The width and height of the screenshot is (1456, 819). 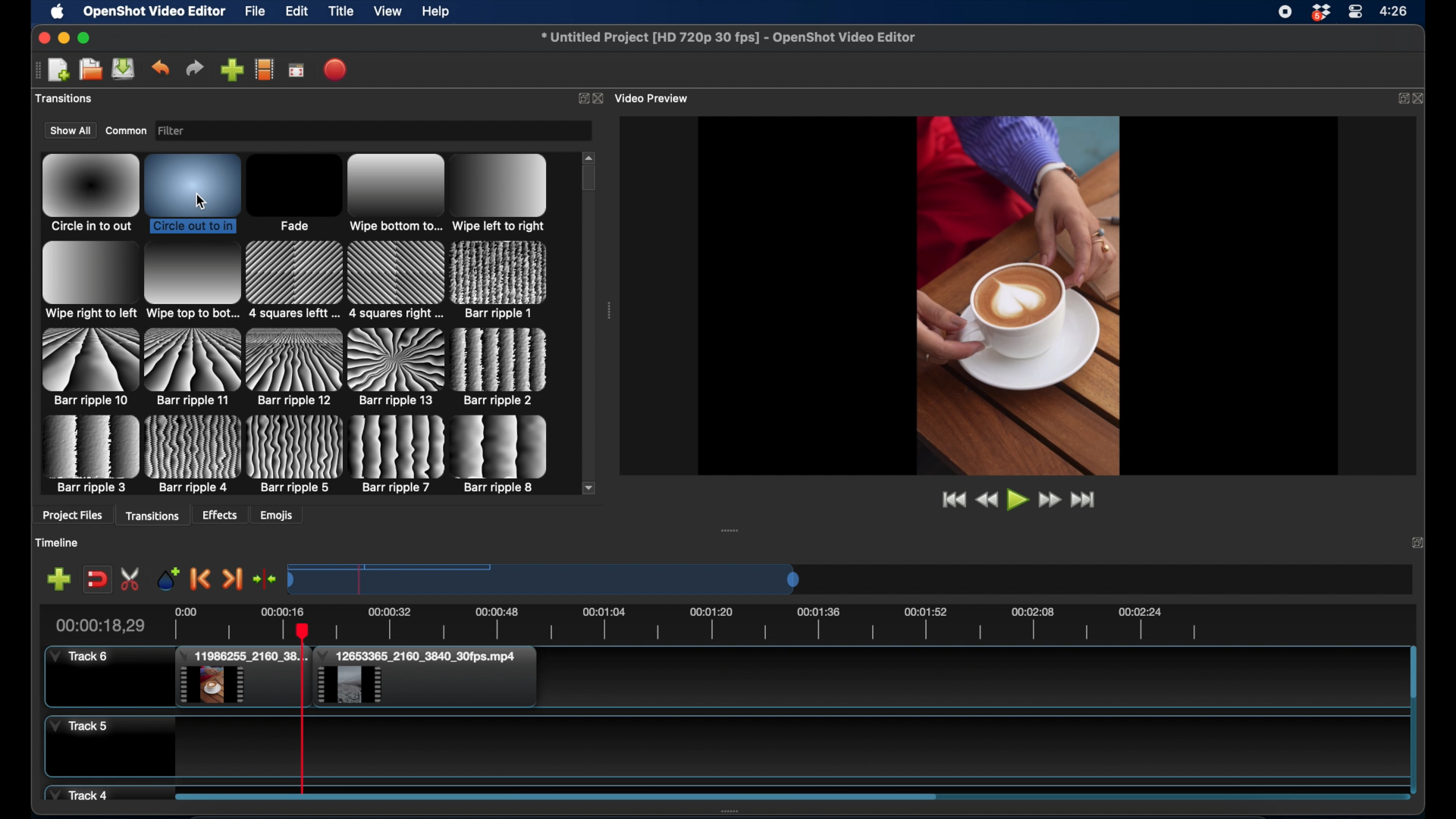 I want to click on transition, so click(x=294, y=281).